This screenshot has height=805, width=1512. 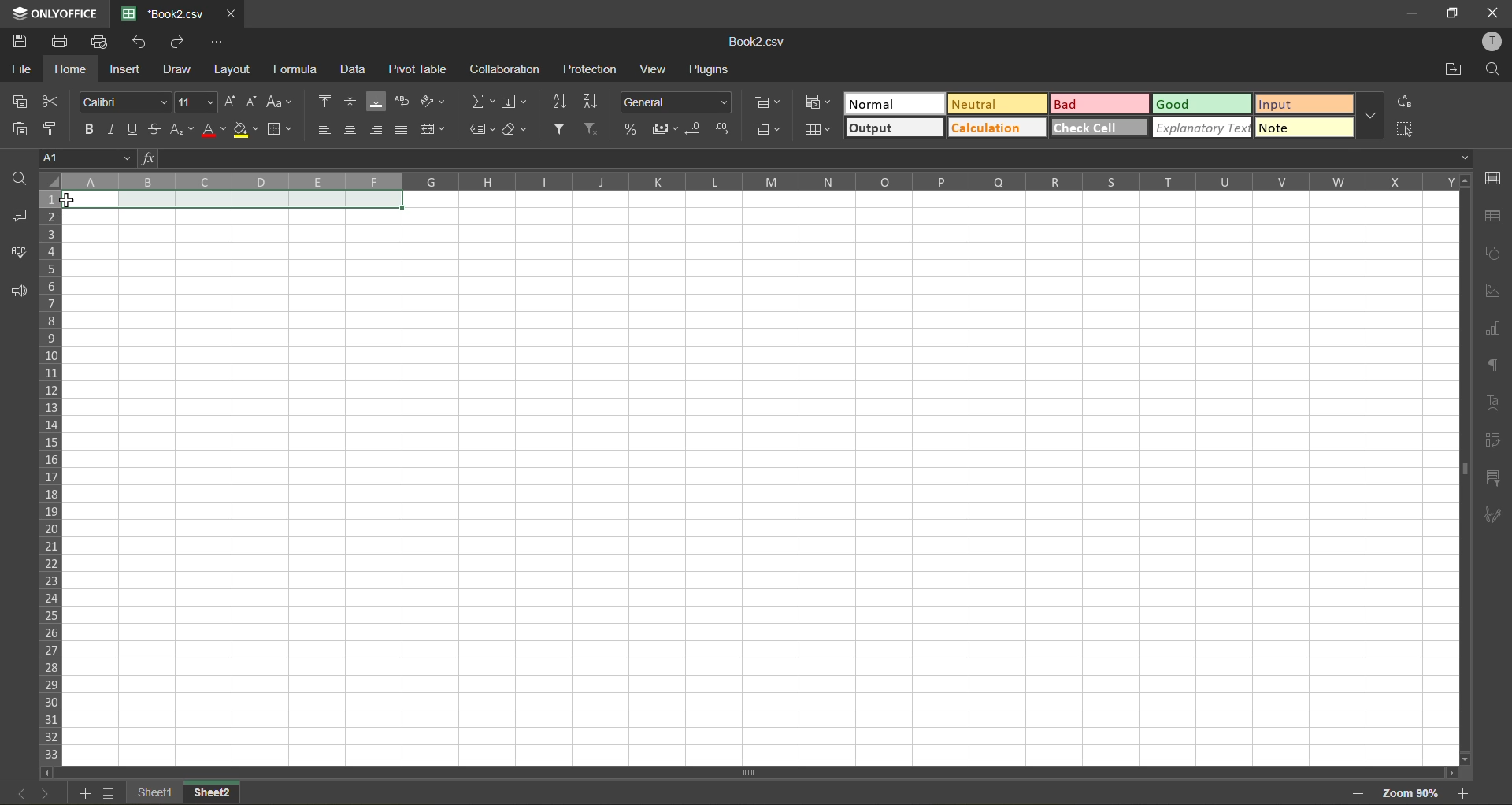 I want to click on change case, so click(x=282, y=102).